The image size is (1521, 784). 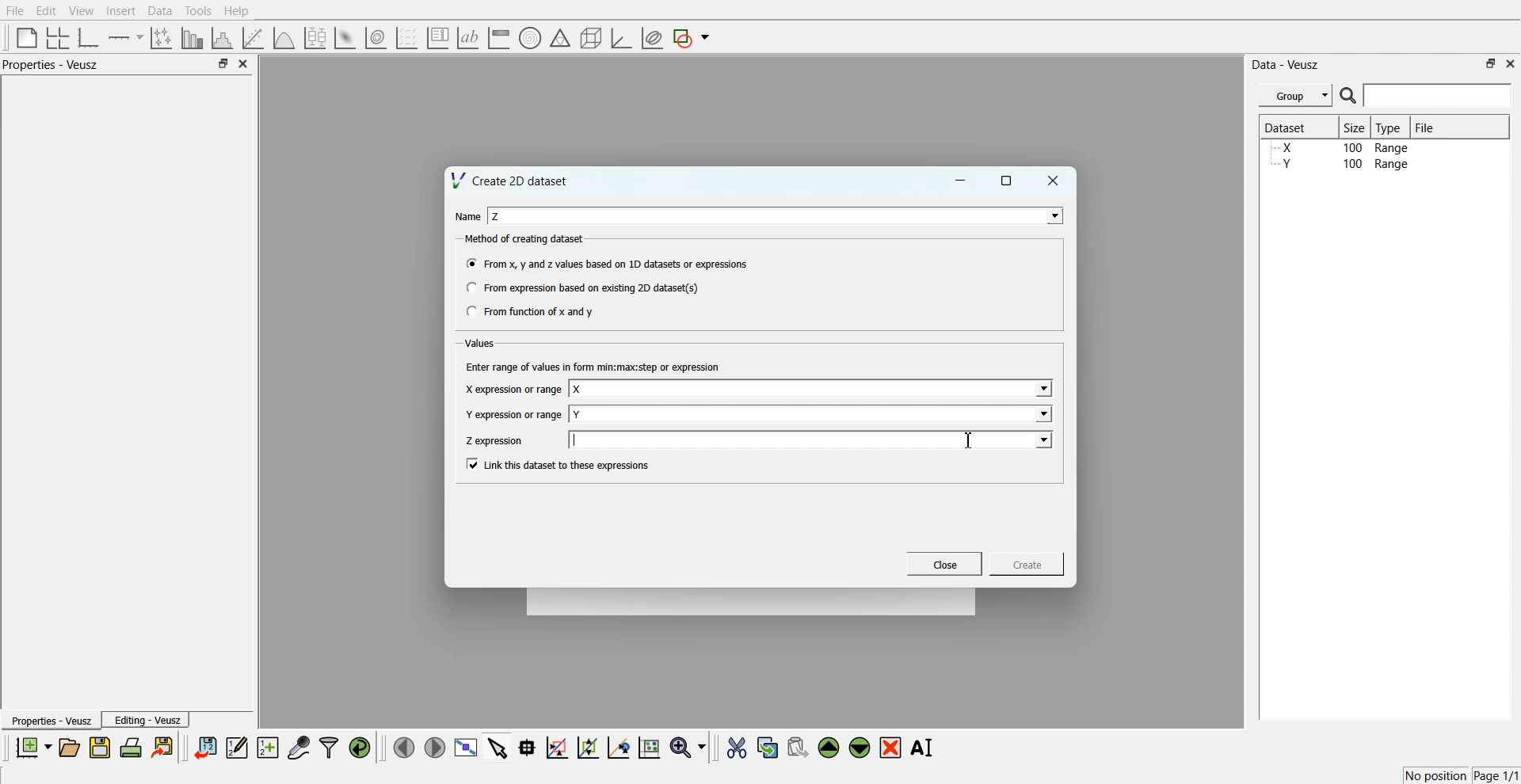 I want to click on Y 100 Range, so click(x=1341, y=164).